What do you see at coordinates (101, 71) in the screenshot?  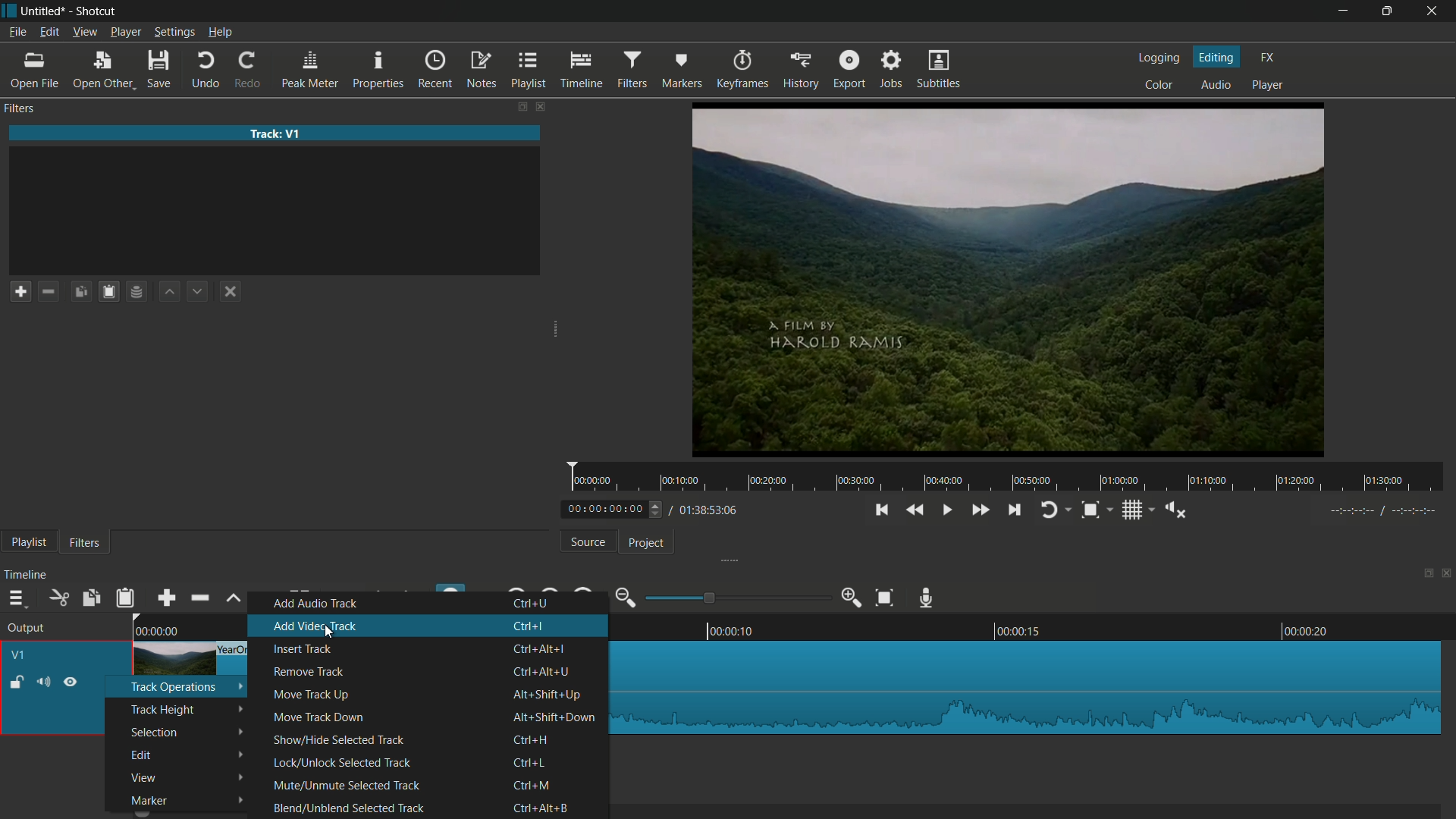 I see `open other` at bounding box center [101, 71].